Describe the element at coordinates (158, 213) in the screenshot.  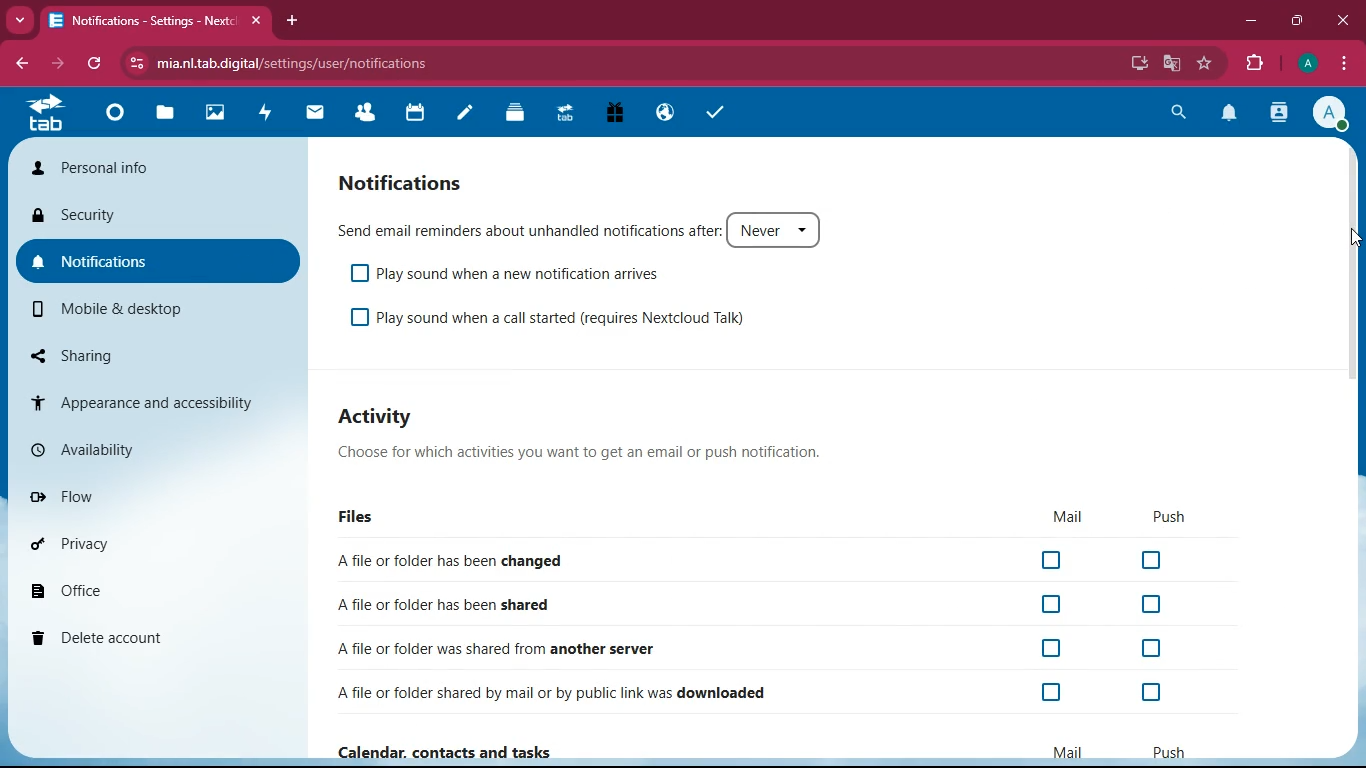
I see `security` at that location.